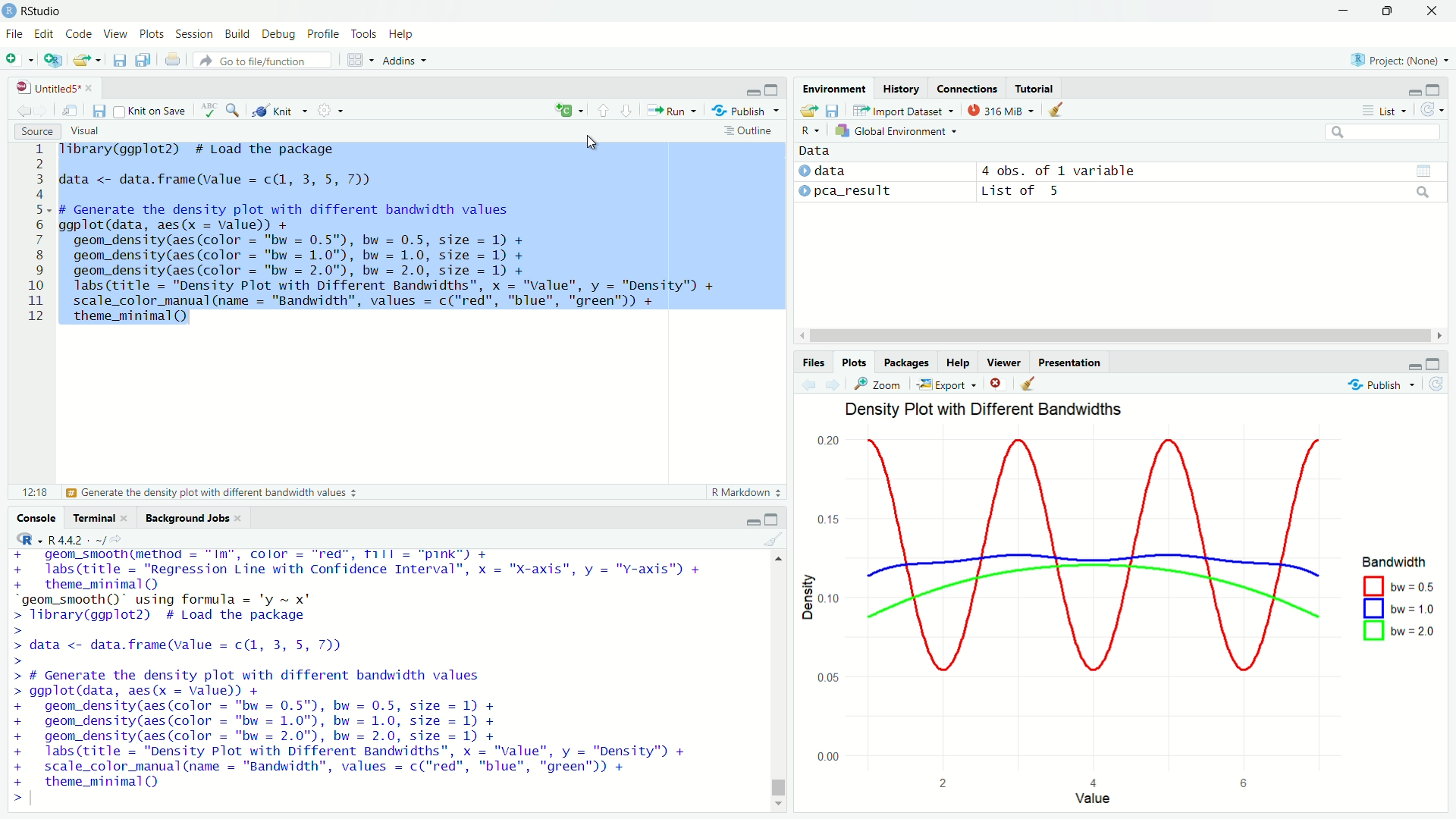 Image resolution: width=1456 pixels, height=819 pixels. What do you see at coordinates (1431, 109) in the screenshot?
I see `Refresh the list of objects in the environment` at bounding box center [1431, 109].